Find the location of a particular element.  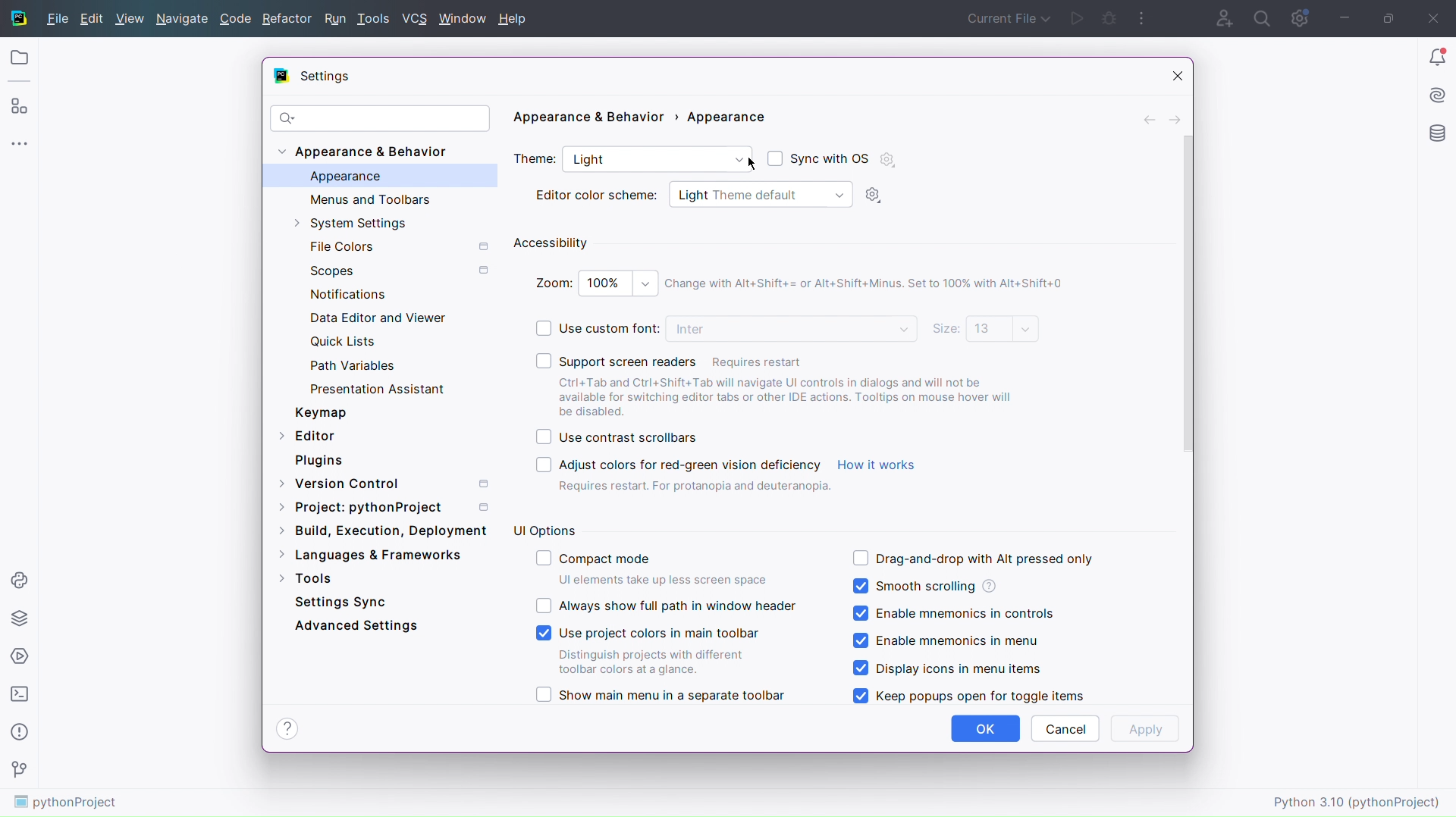

Project: pythonProject is located at coordinates (387, 507).